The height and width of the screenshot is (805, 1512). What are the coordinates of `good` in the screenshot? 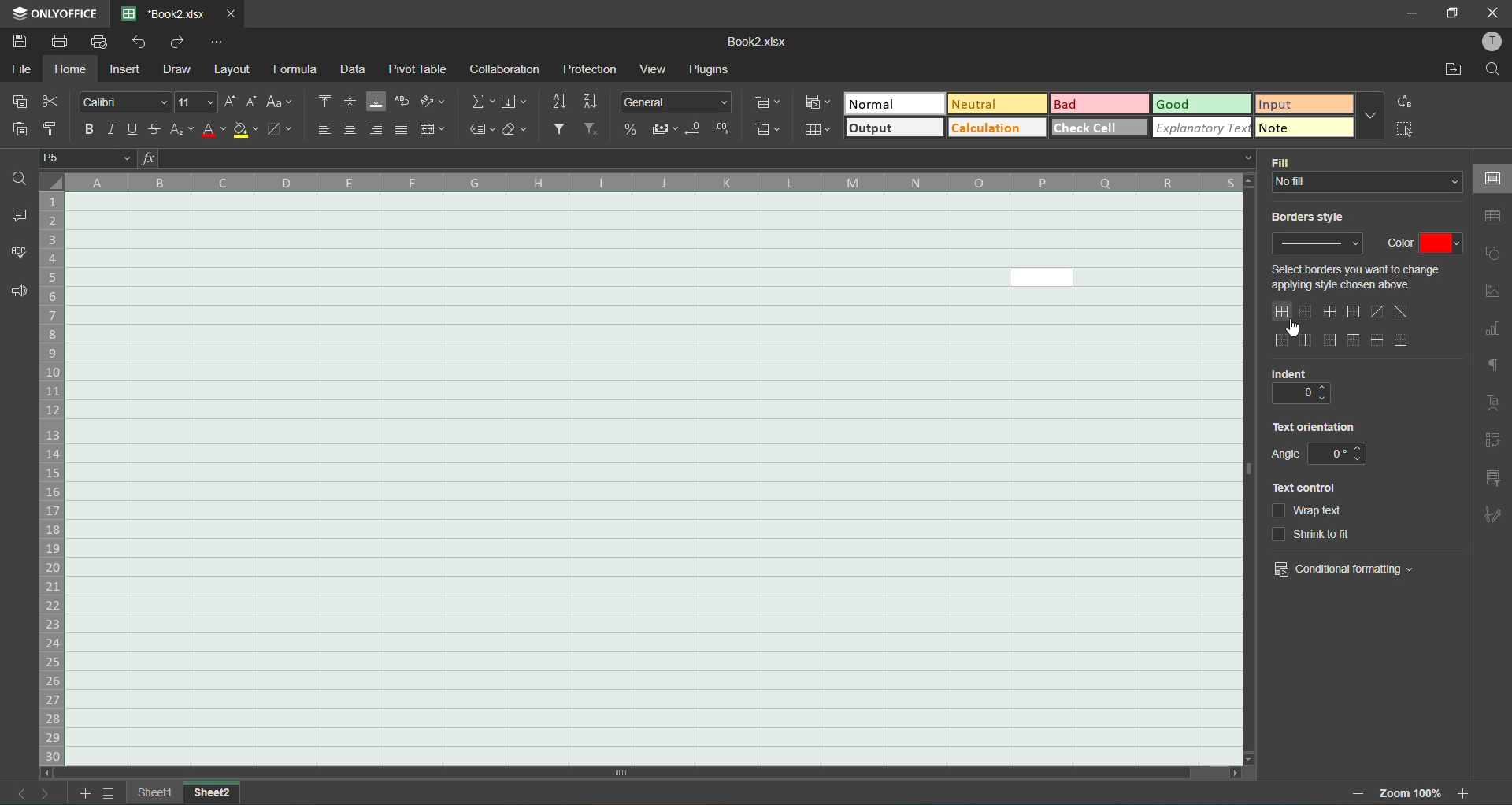 It's located at (1203, 104).